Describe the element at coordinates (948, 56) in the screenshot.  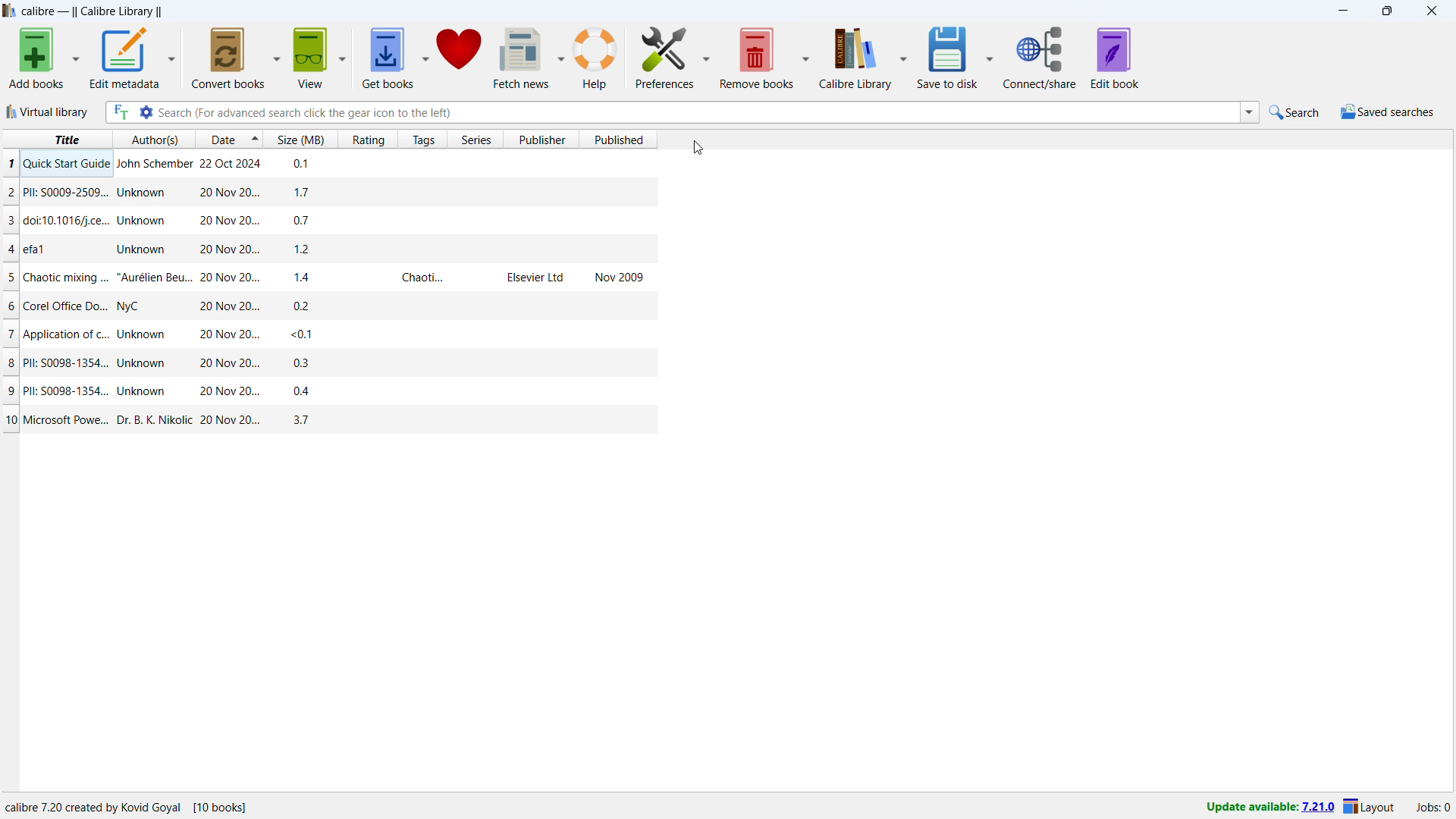
I see `save to disk` at that location.